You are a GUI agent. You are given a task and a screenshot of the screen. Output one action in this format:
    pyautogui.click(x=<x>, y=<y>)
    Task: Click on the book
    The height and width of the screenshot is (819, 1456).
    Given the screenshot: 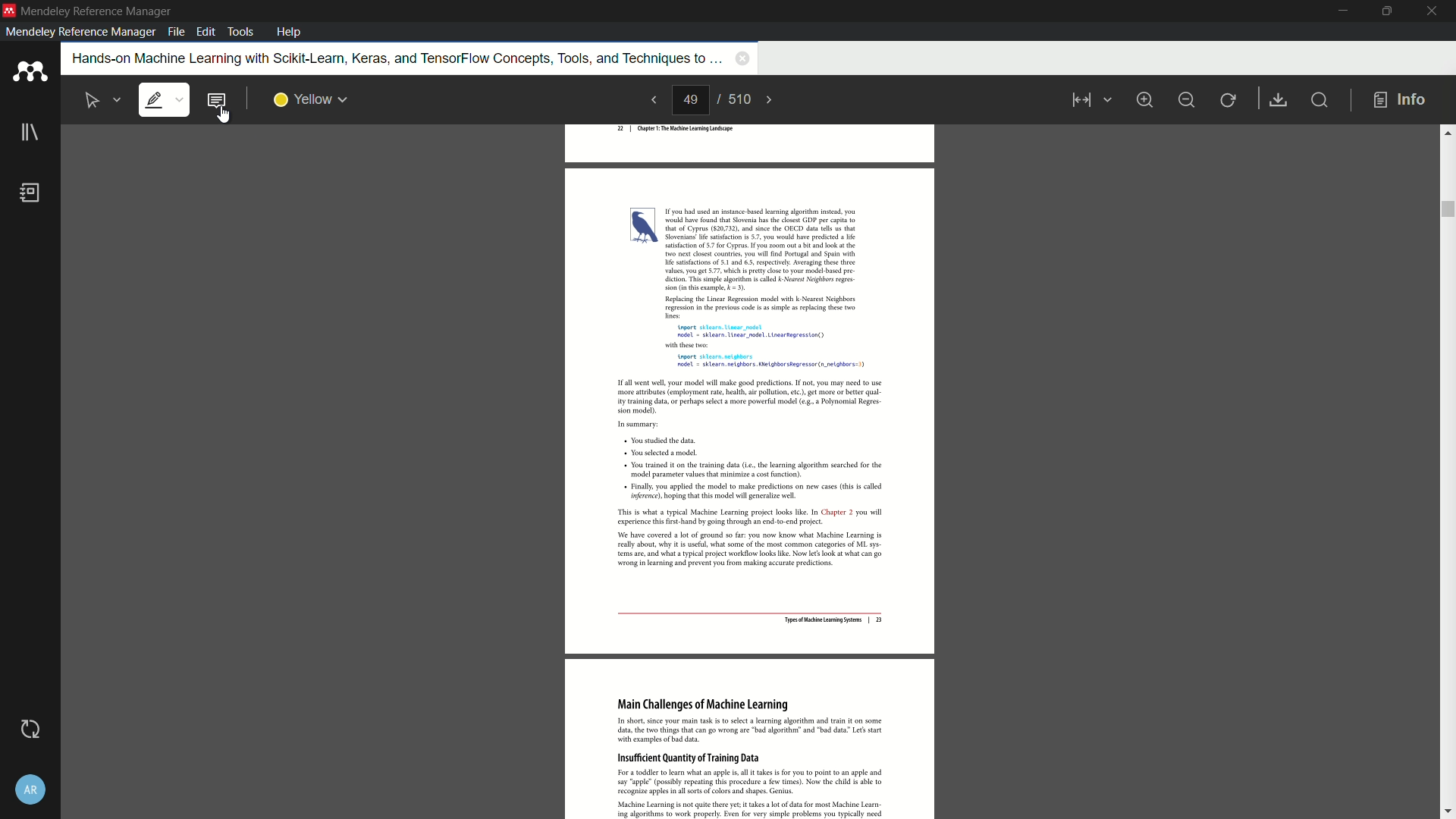 What is the action you would take?
    pyautogui.click(x=33, y=194)
    